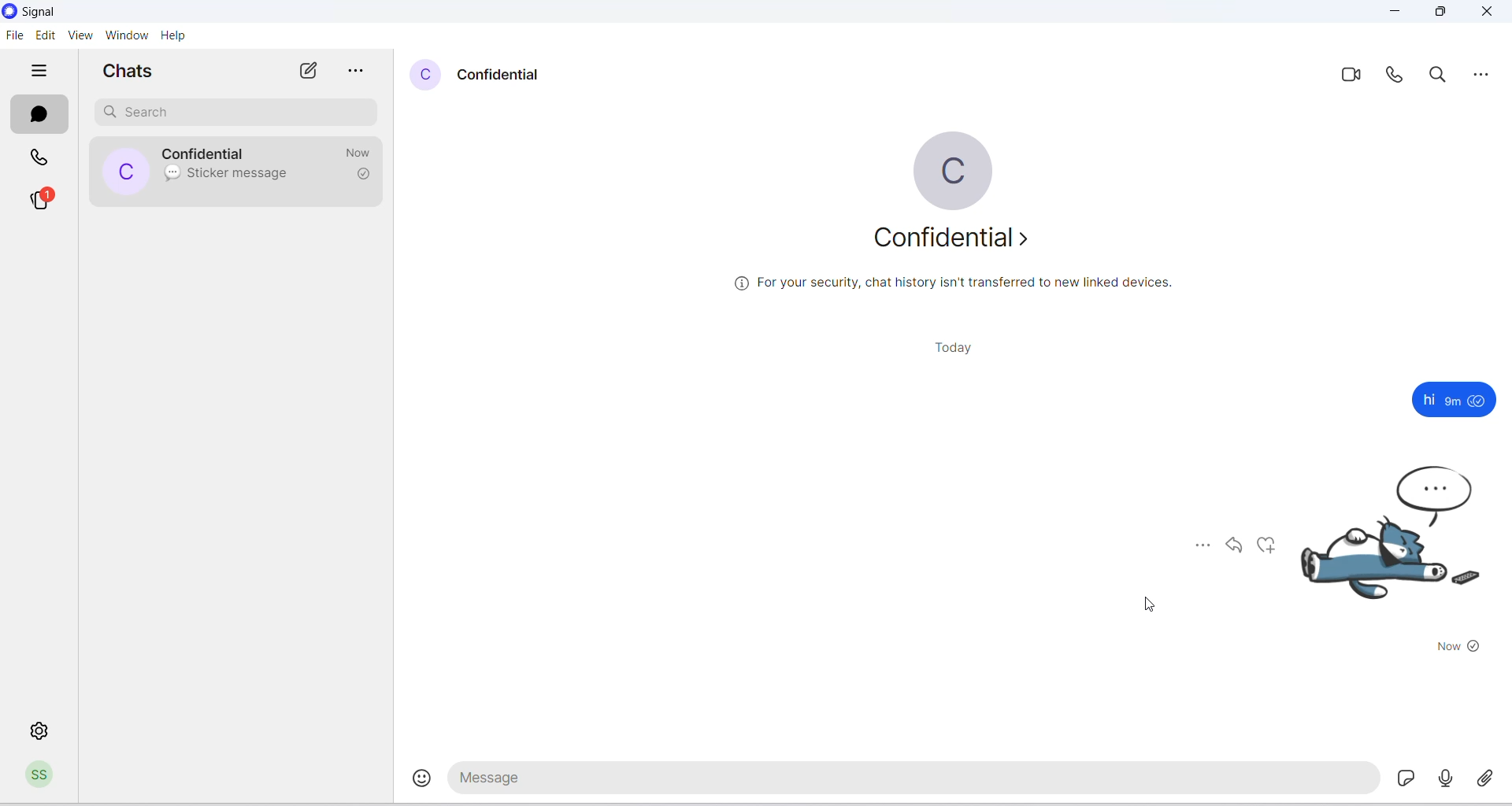 The image size is (1512, 806). I want to click on chats, so click(41, 113).